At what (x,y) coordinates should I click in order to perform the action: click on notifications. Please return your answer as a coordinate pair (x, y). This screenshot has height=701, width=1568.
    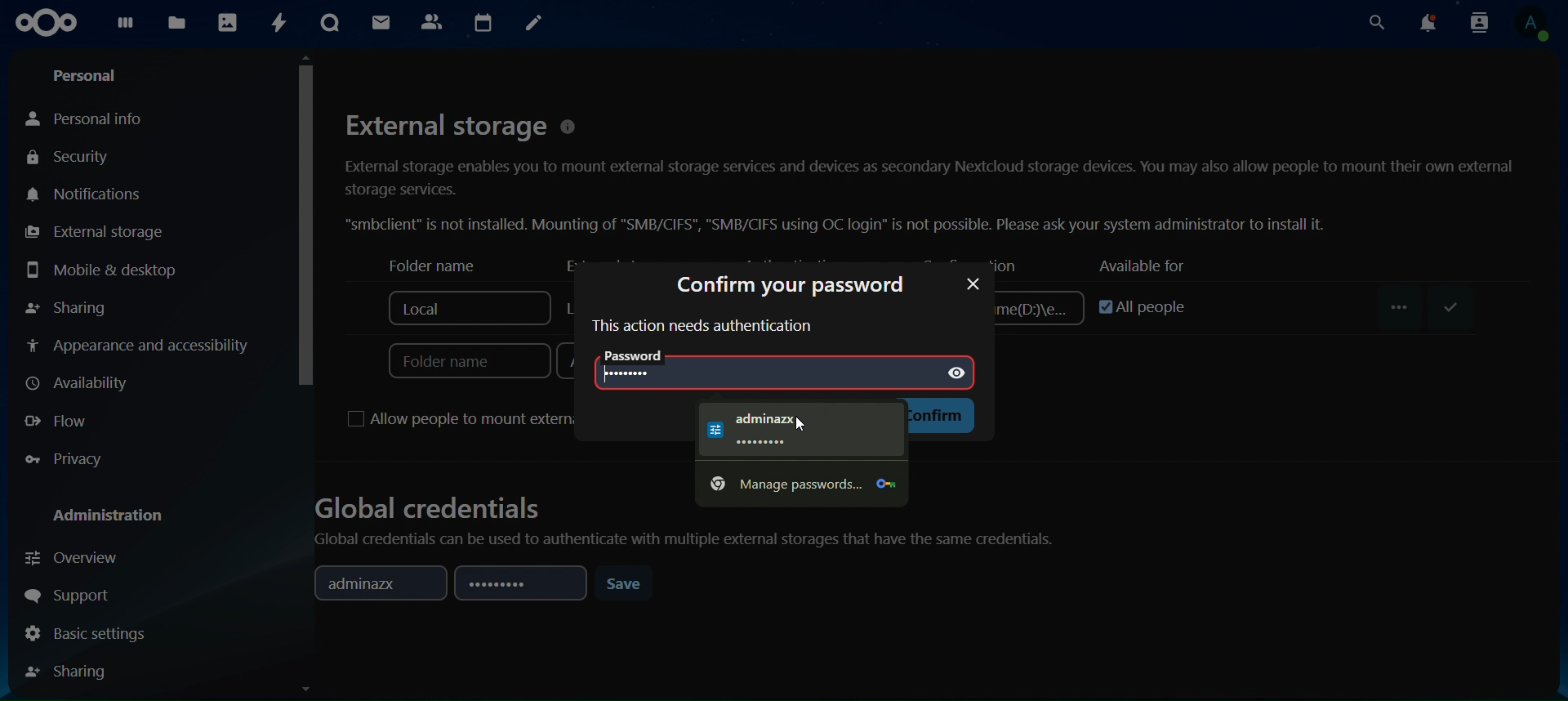
    Looking at the image, I should click on (84, 194).